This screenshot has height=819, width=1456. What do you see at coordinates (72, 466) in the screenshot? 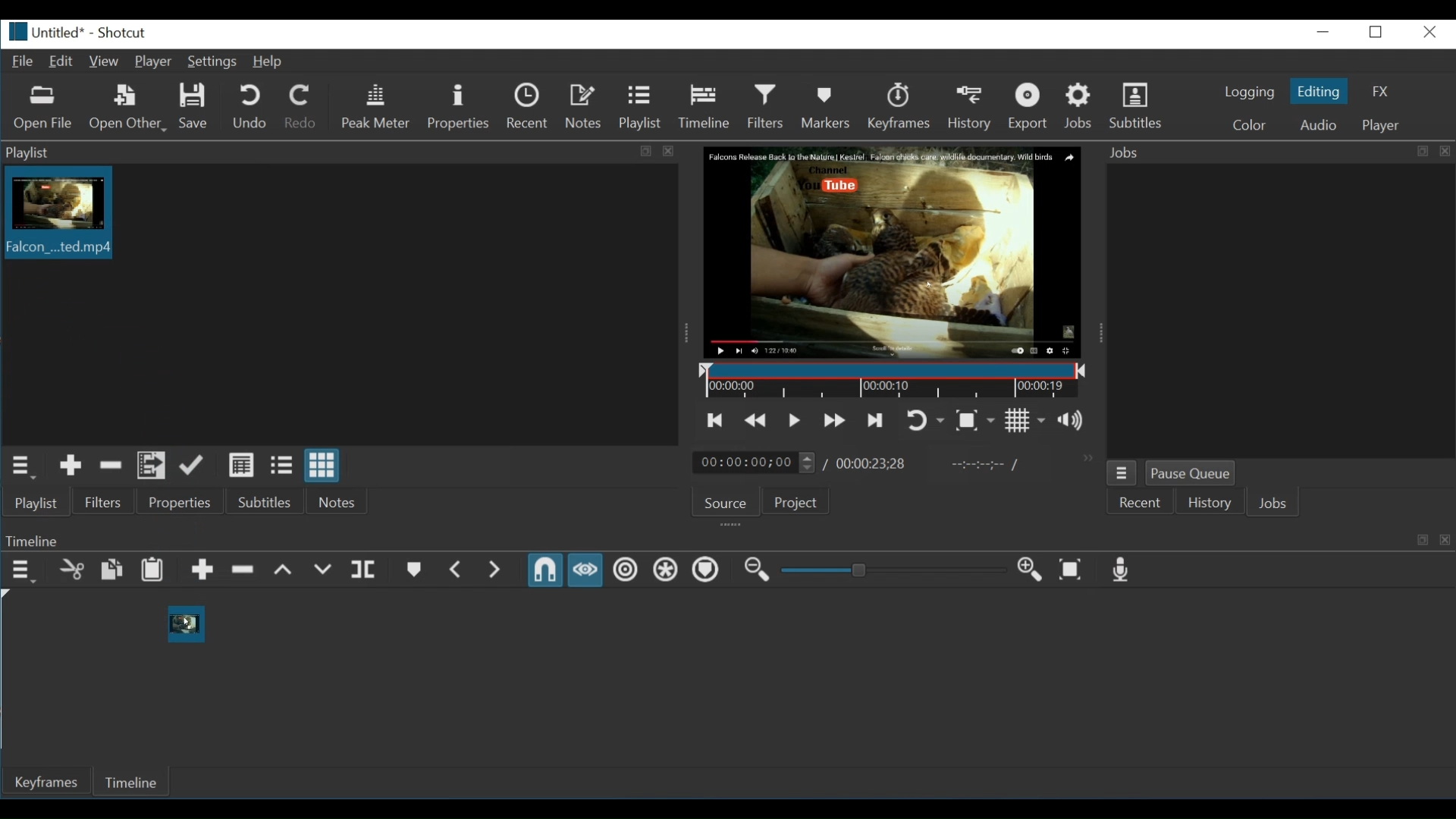
I see `Add the source to the playlist` at bounding box center [72, 466].